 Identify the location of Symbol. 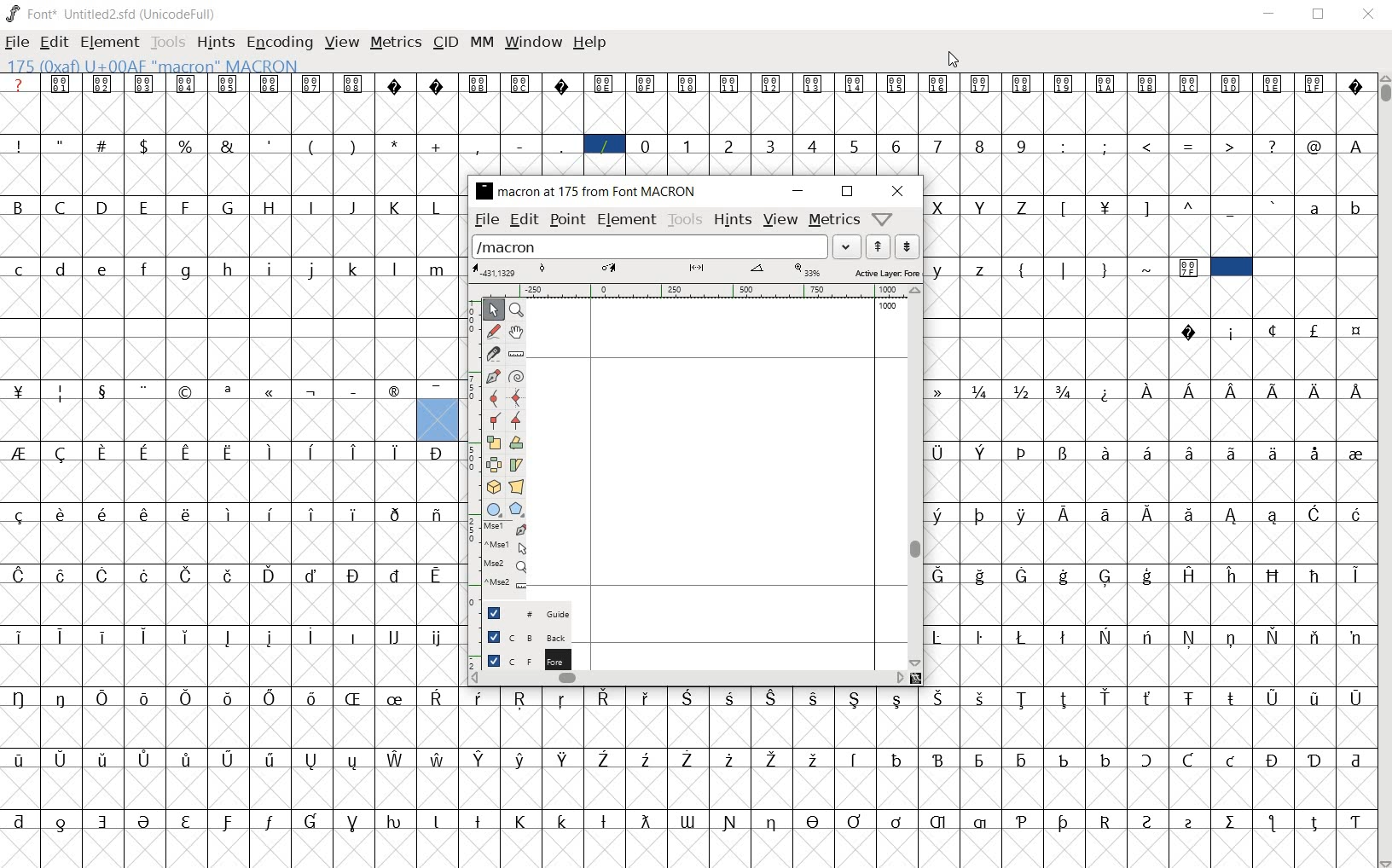
(20, 819).